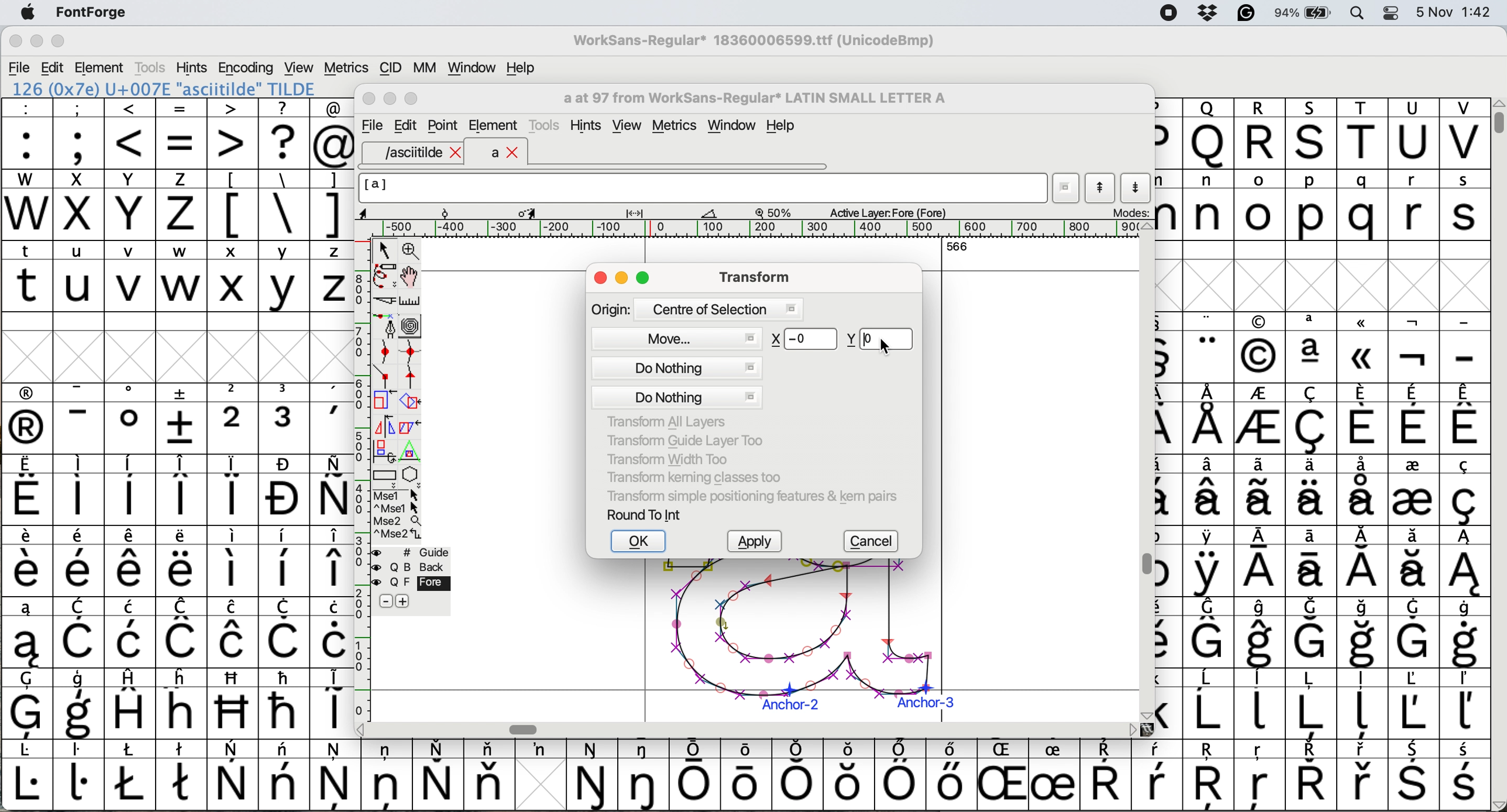  I want to click on perform a perspective transformation on selection, so click(410, 452).